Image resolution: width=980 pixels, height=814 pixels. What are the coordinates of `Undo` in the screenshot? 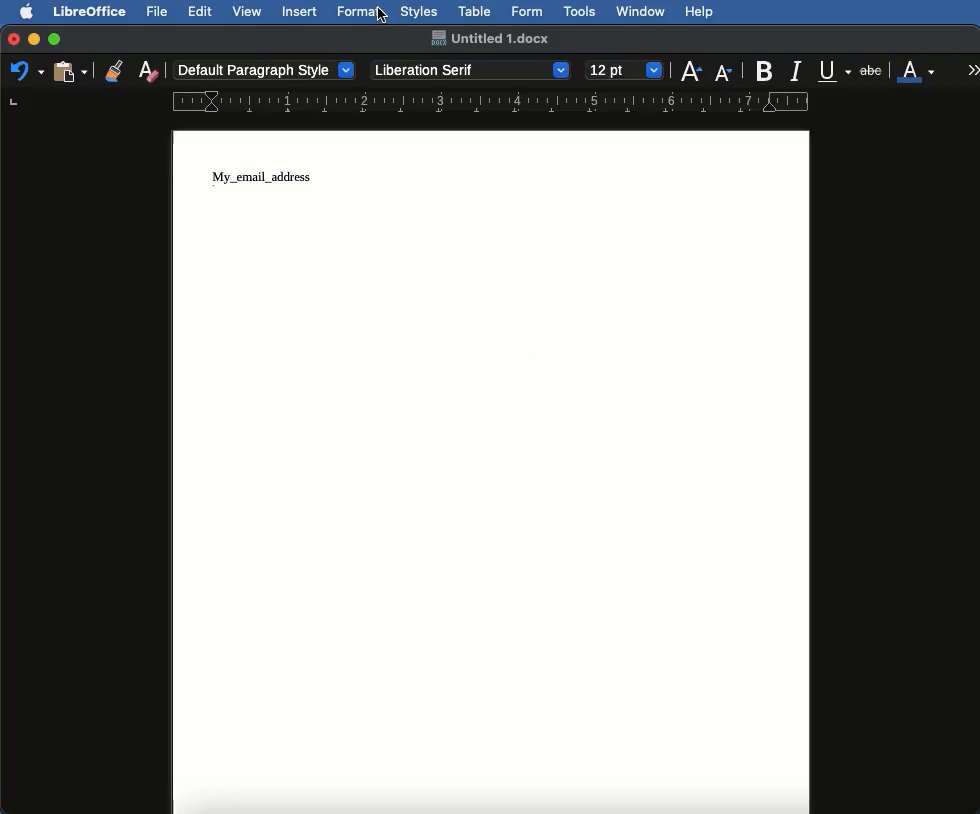 It's located at (26, 70).